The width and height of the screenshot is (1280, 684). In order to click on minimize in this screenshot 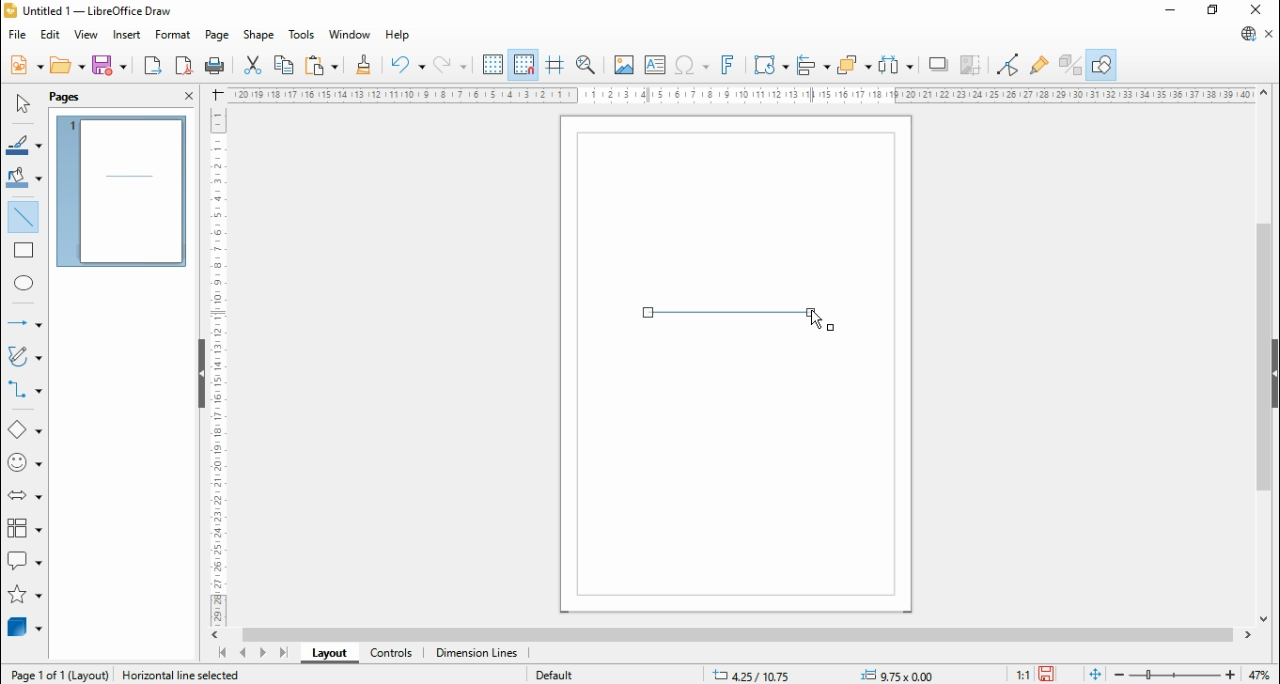, I will do `click(1171, 12)`.